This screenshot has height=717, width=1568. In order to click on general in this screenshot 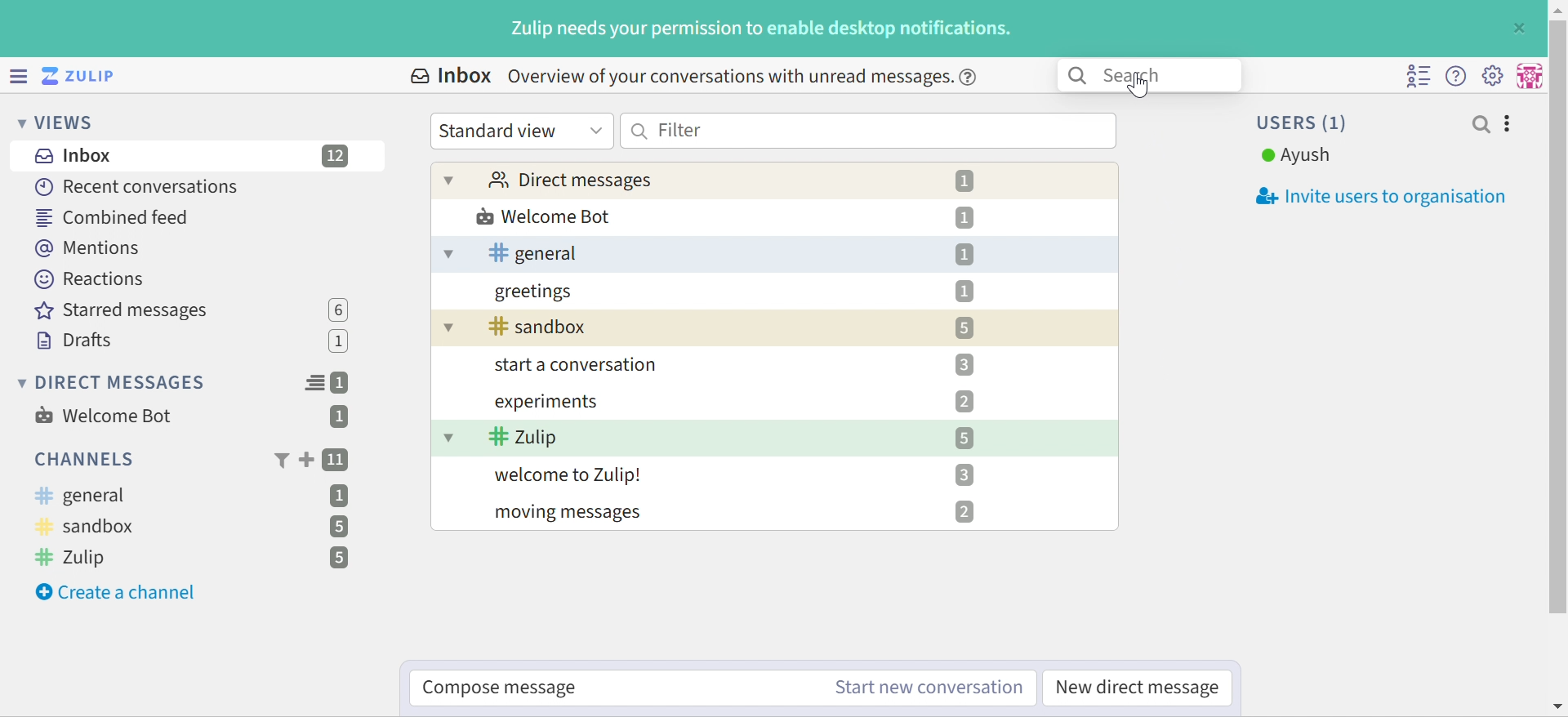, I will do `click(448, 254)`.